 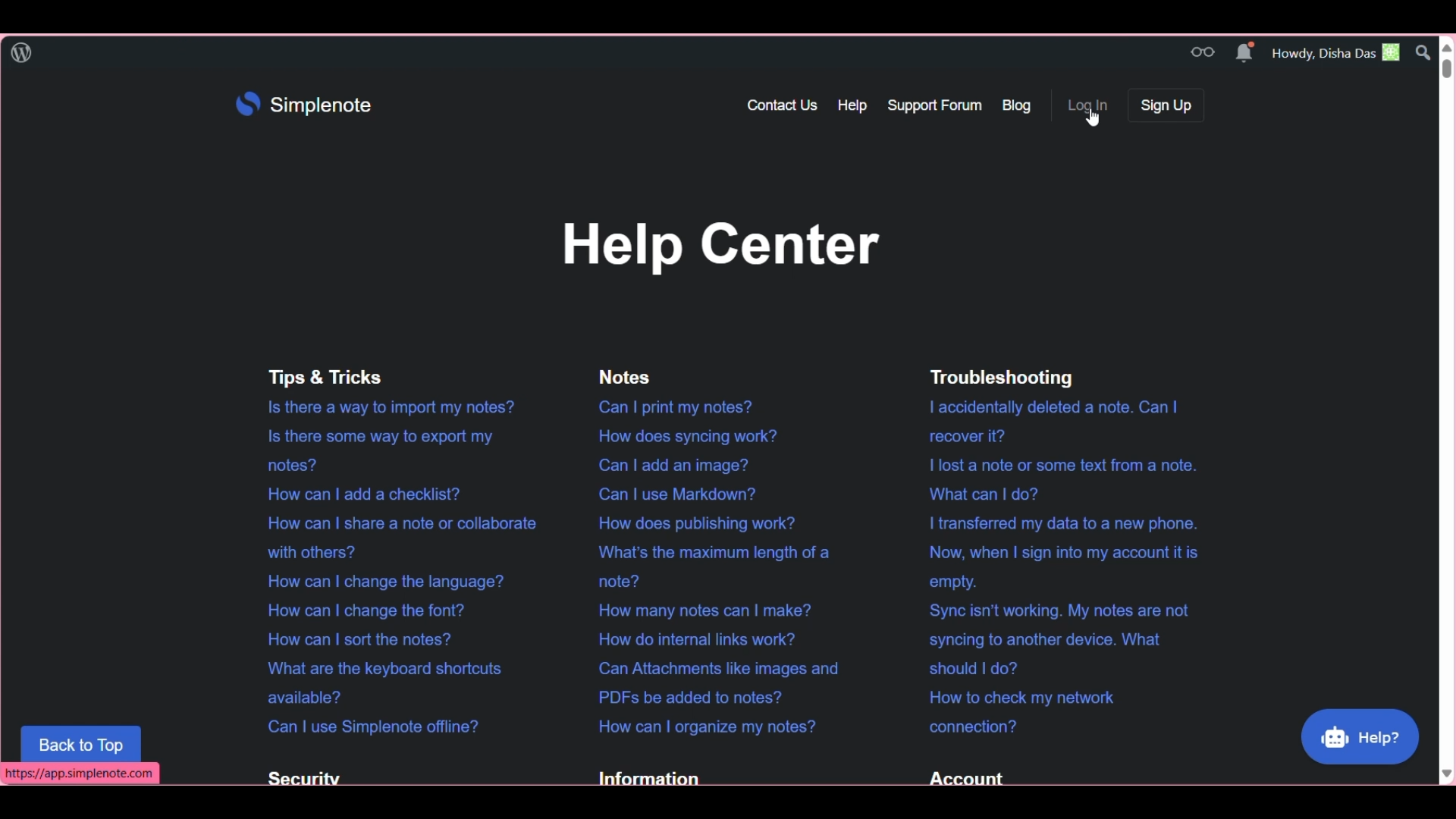 I want to click on Simplenote logo, so click(x=303, y=105).